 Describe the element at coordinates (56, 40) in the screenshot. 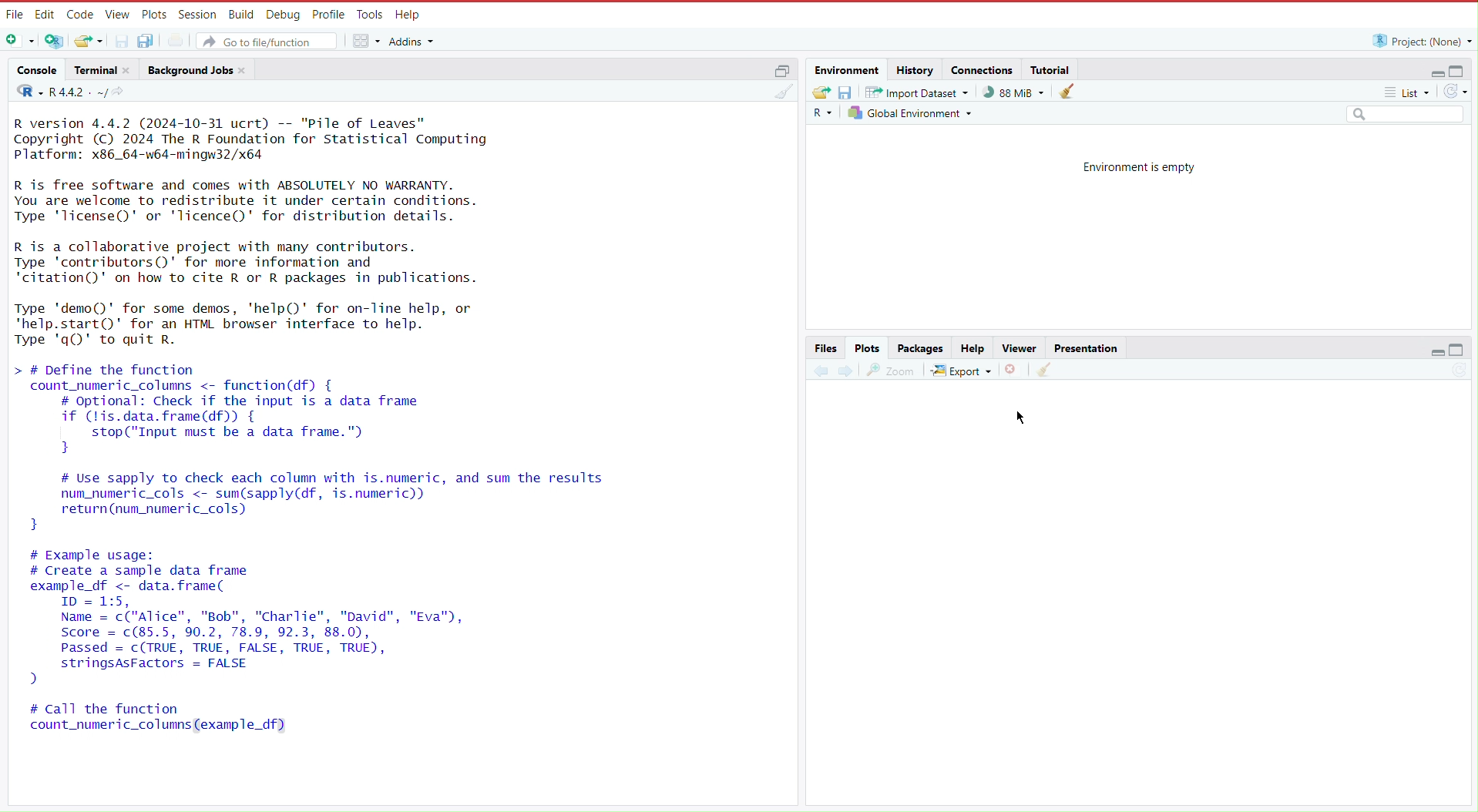

I see `Create a project` at that location.